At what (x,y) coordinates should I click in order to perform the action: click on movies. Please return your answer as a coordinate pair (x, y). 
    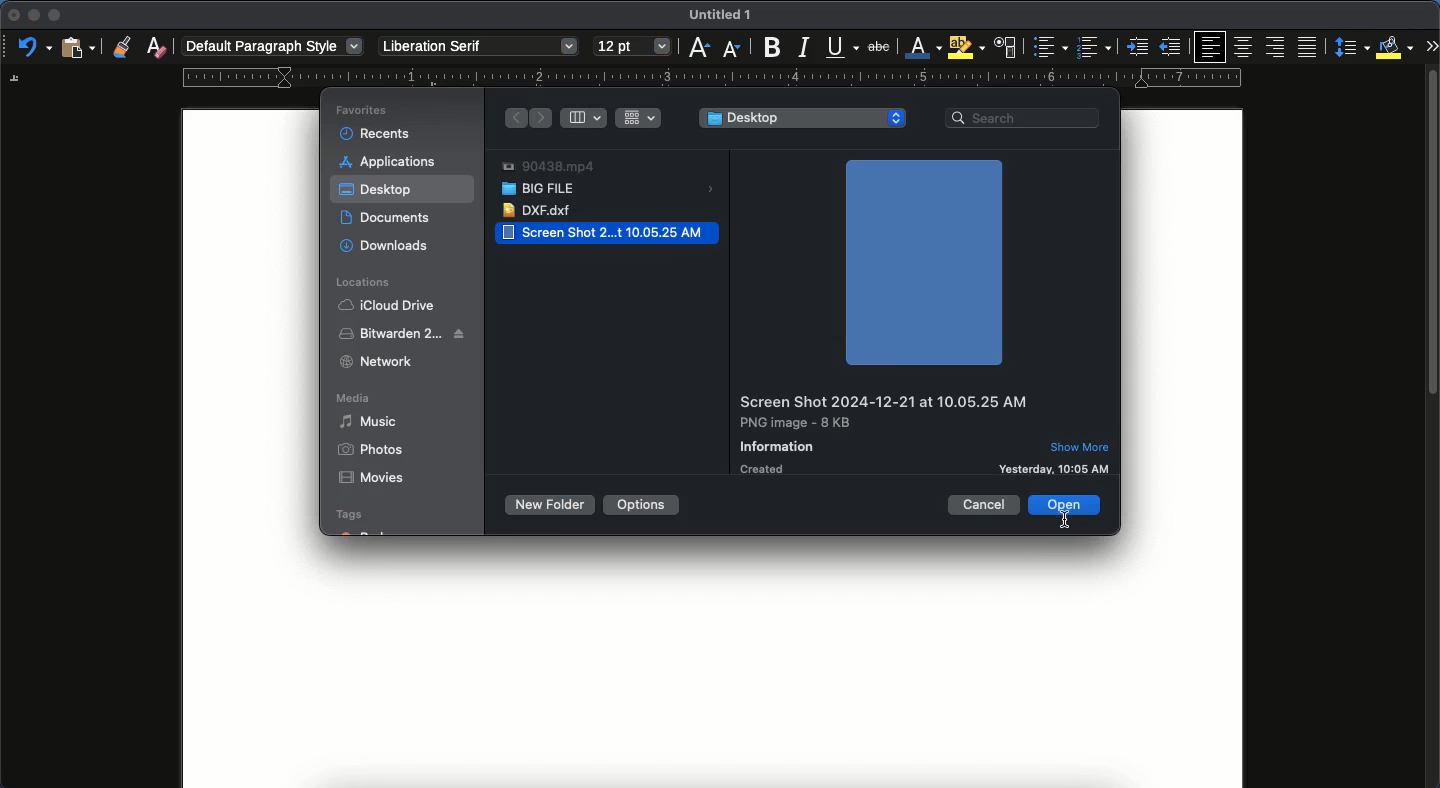
    Looking at the image, I should click on (370, 479).